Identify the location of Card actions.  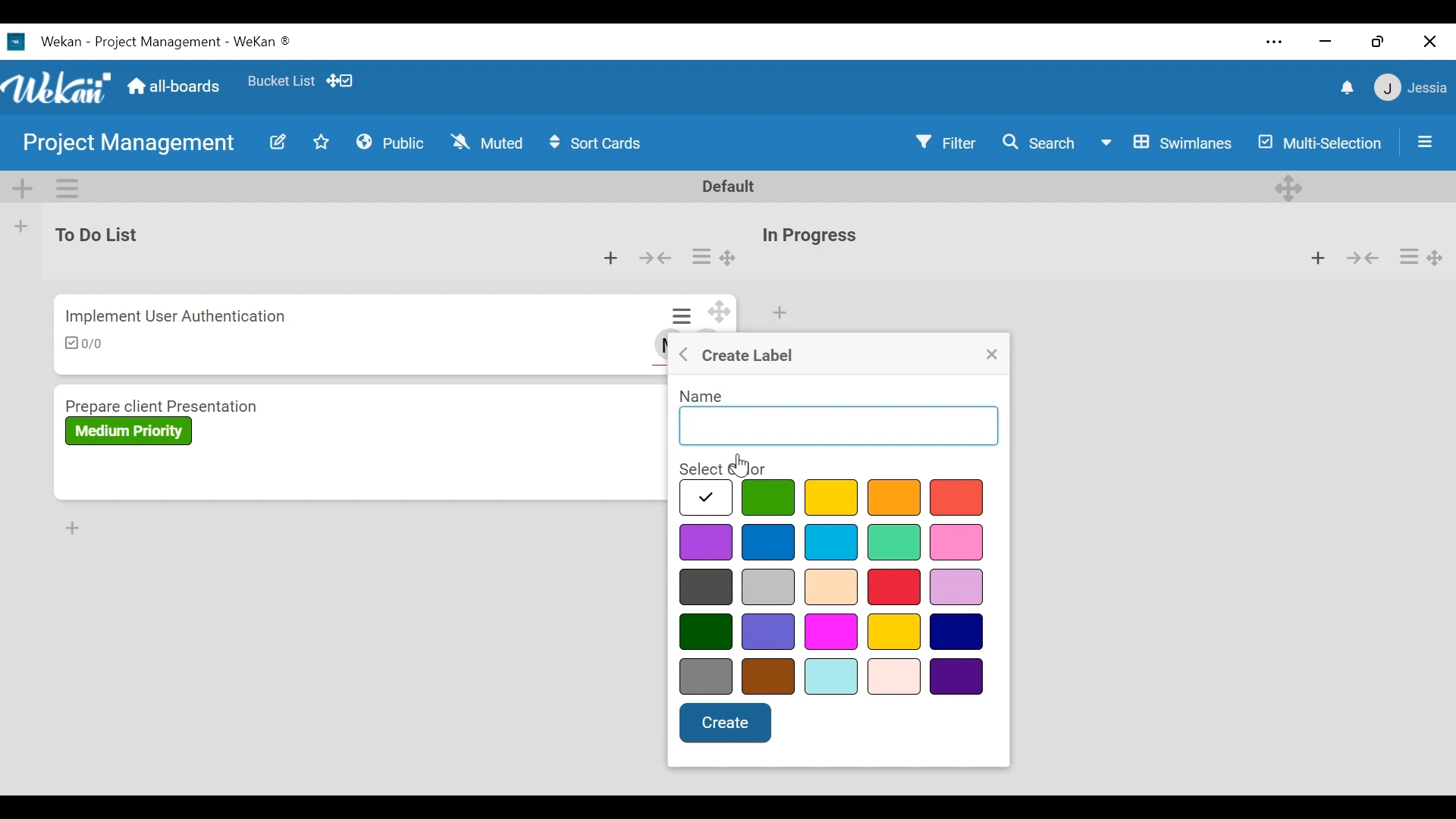
(700, 257).